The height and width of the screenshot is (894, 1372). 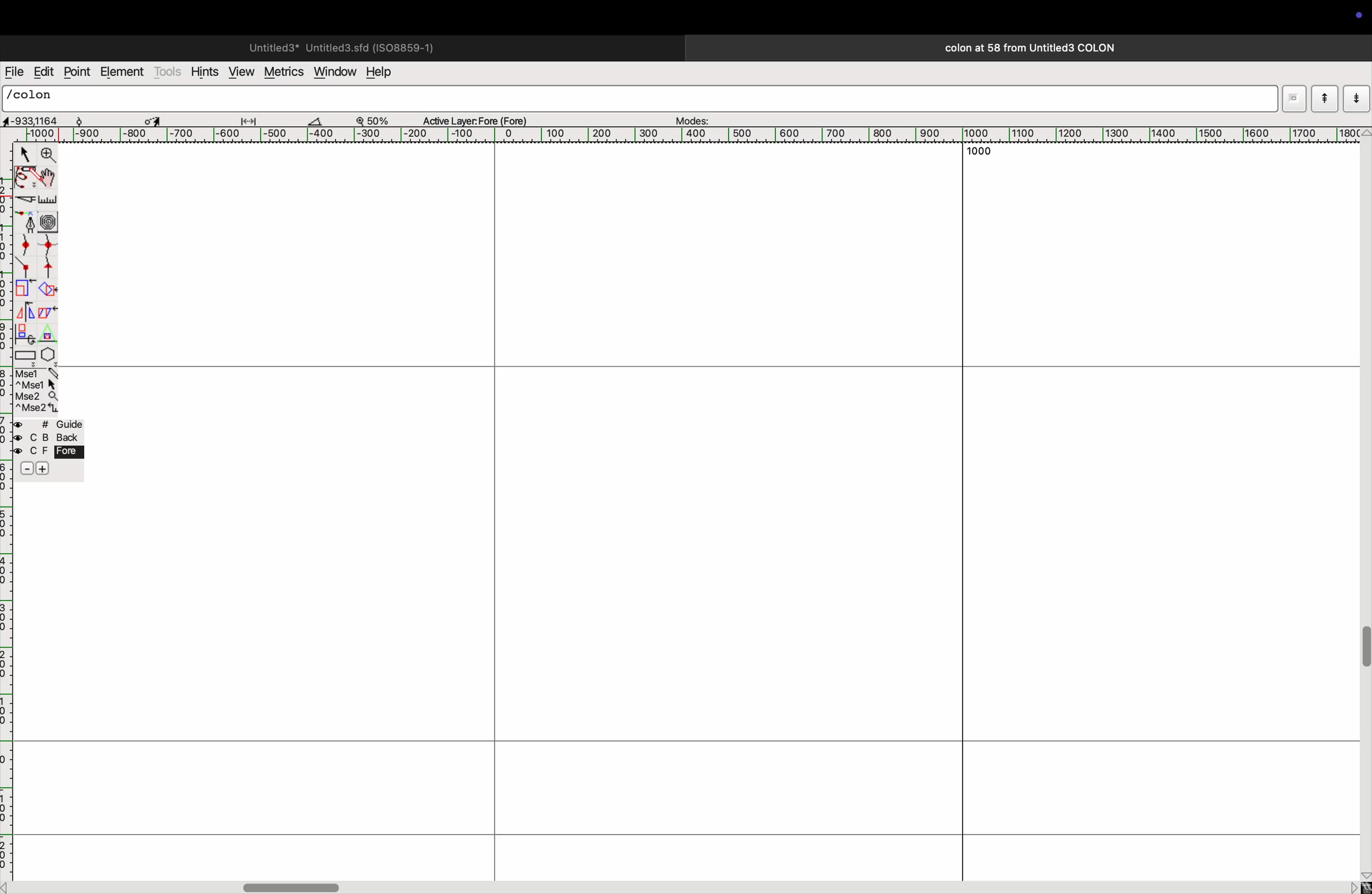 I want to click on tools, so click(x=168, y=72).